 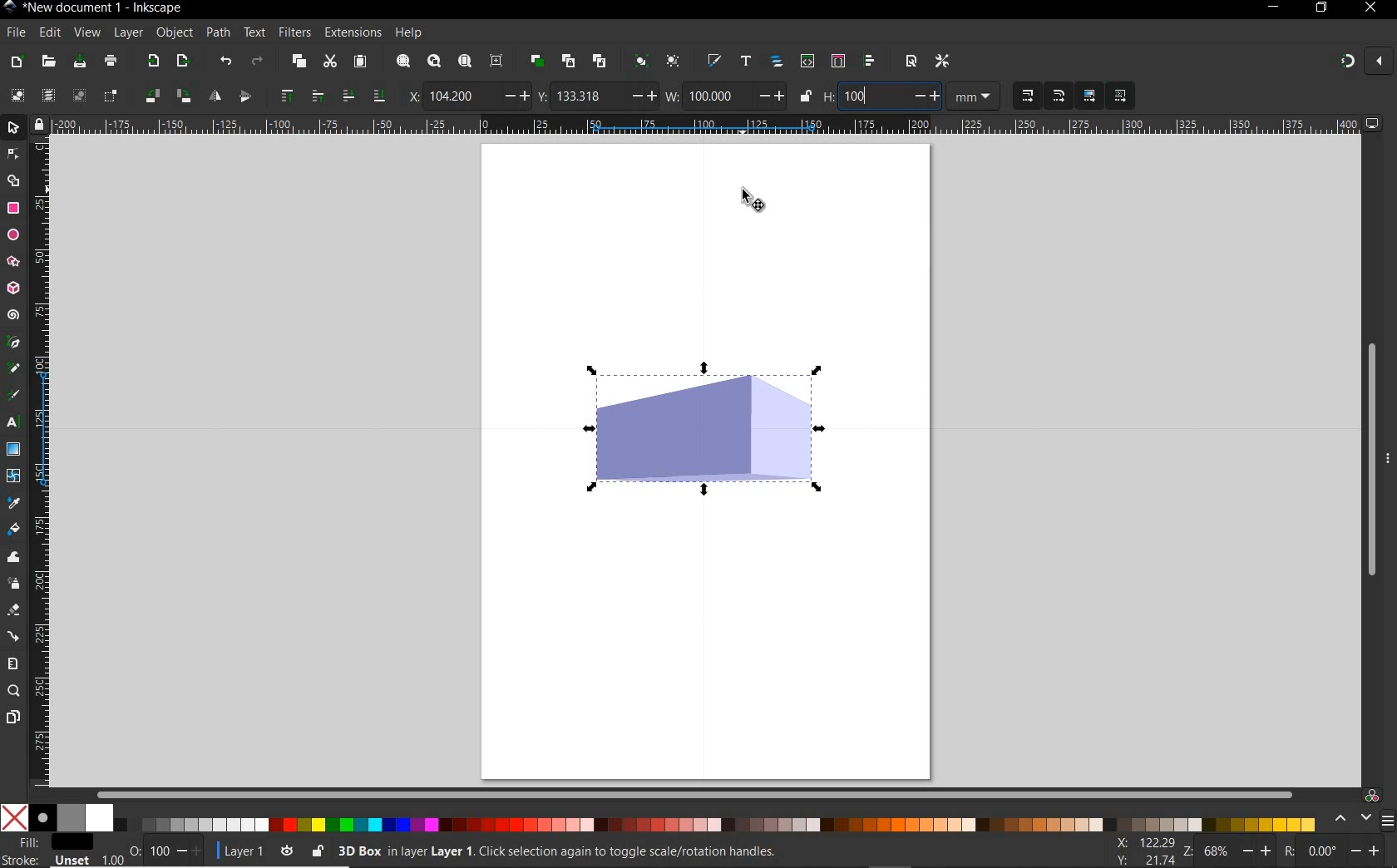 What do you see at coordinates (870, 61) in the screenshot?
I see `open align and distribute` at bounding box center [870, 61].